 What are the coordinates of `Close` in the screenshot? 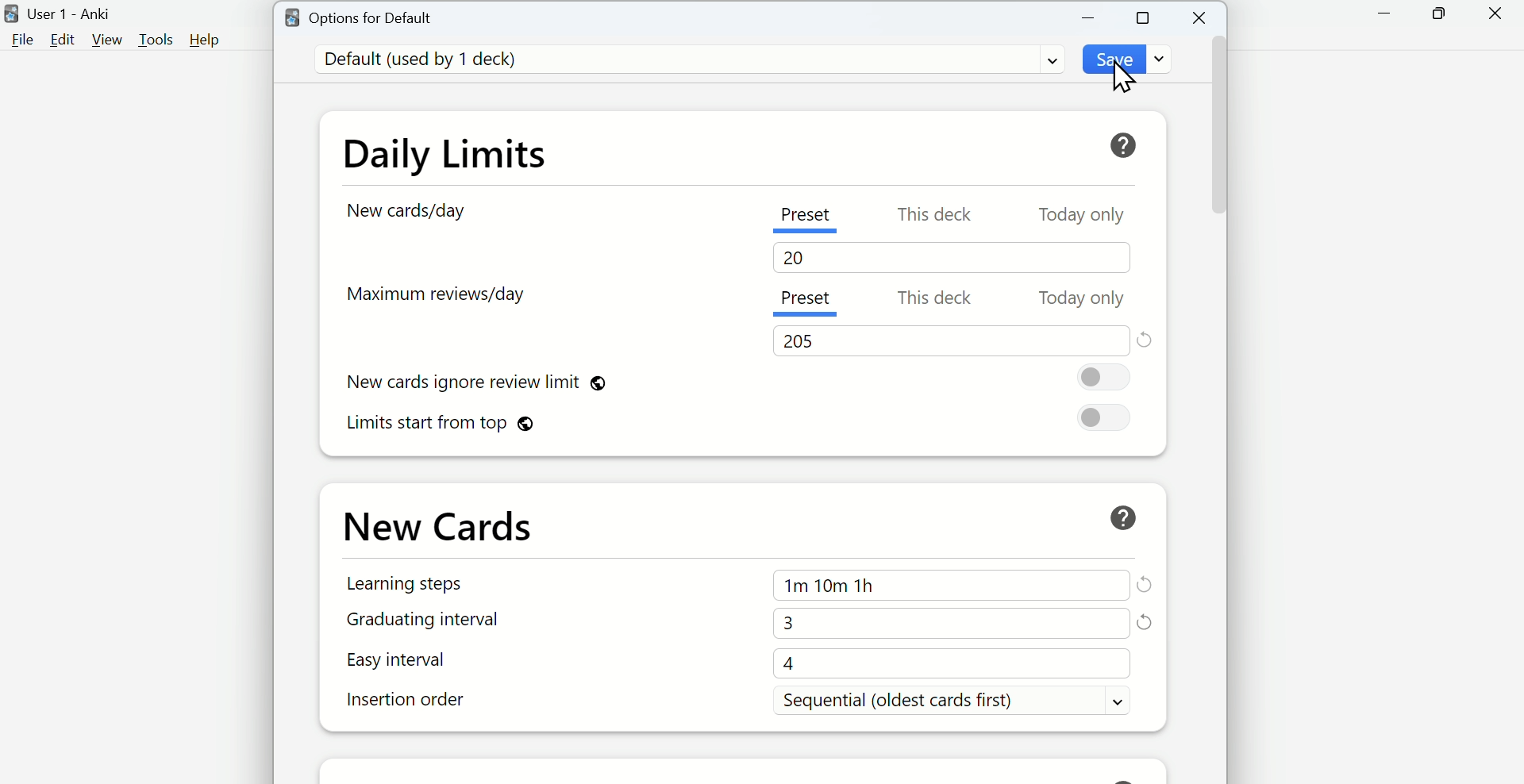 It's located at (1199, 16).